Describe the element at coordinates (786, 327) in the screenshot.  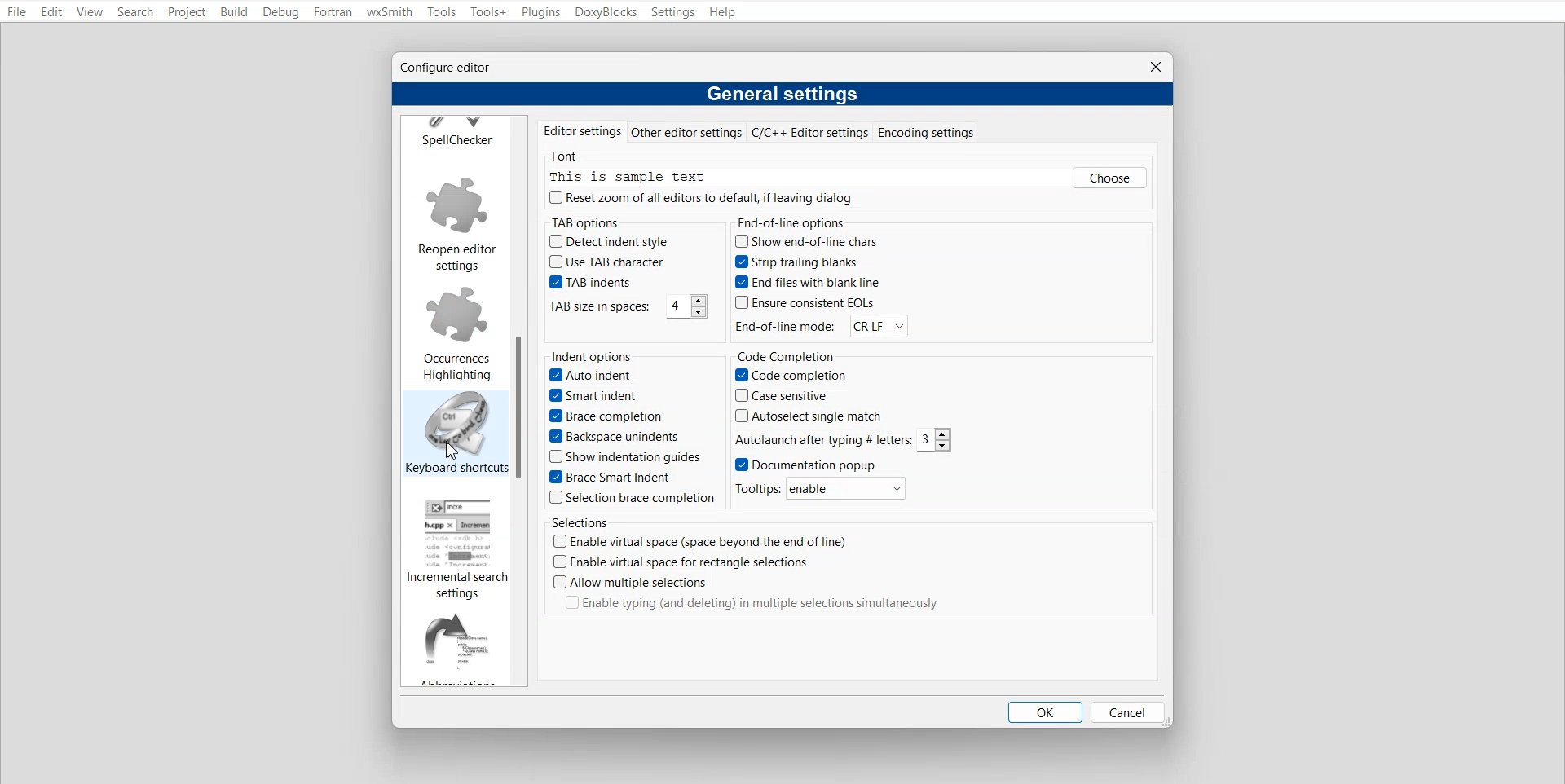
I see `‘End-of-line mode:` at that location.